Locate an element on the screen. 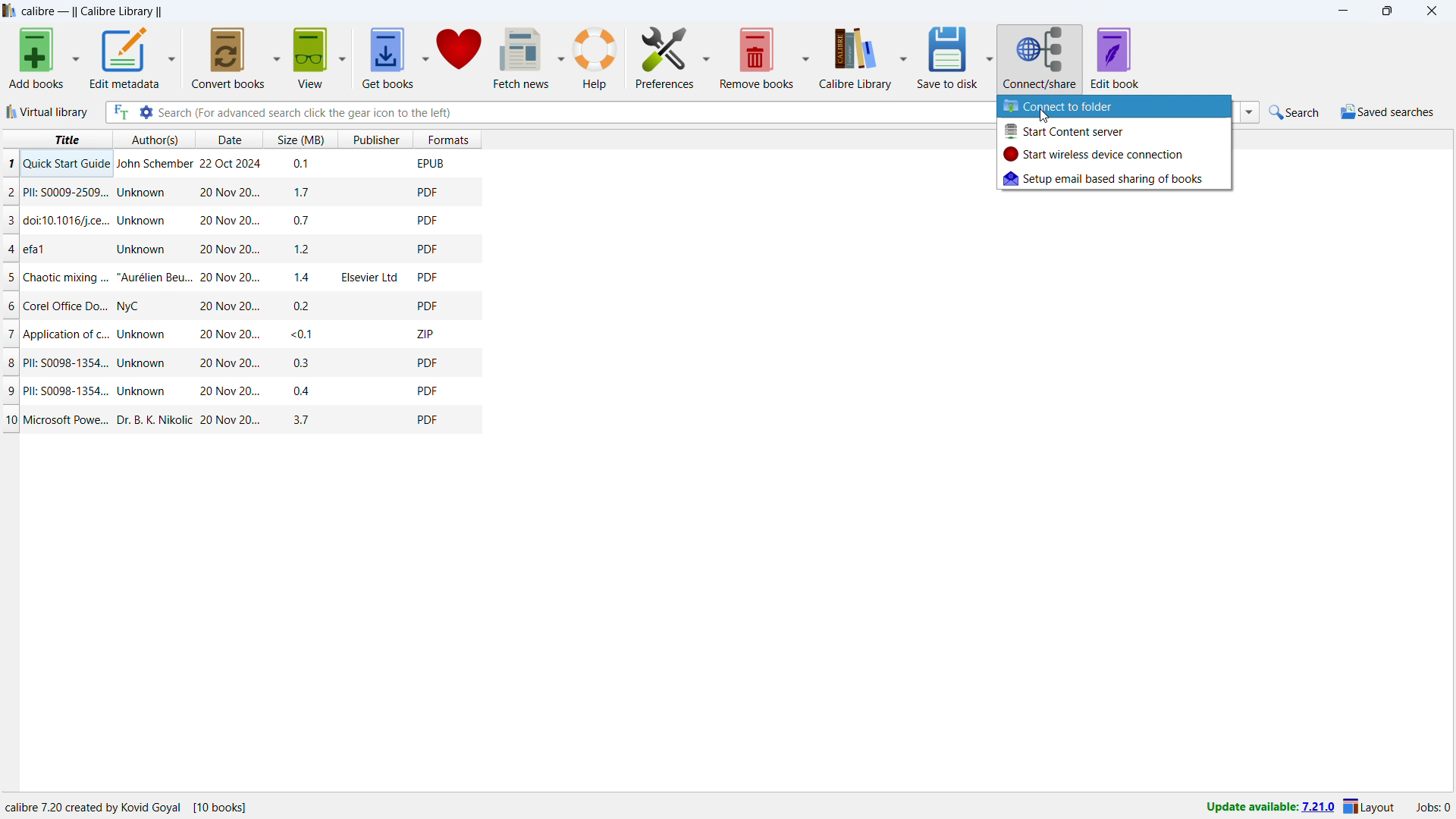 The width and height of the screenshot is (1456, 819). one book entry is located at coordinates (236, 334).